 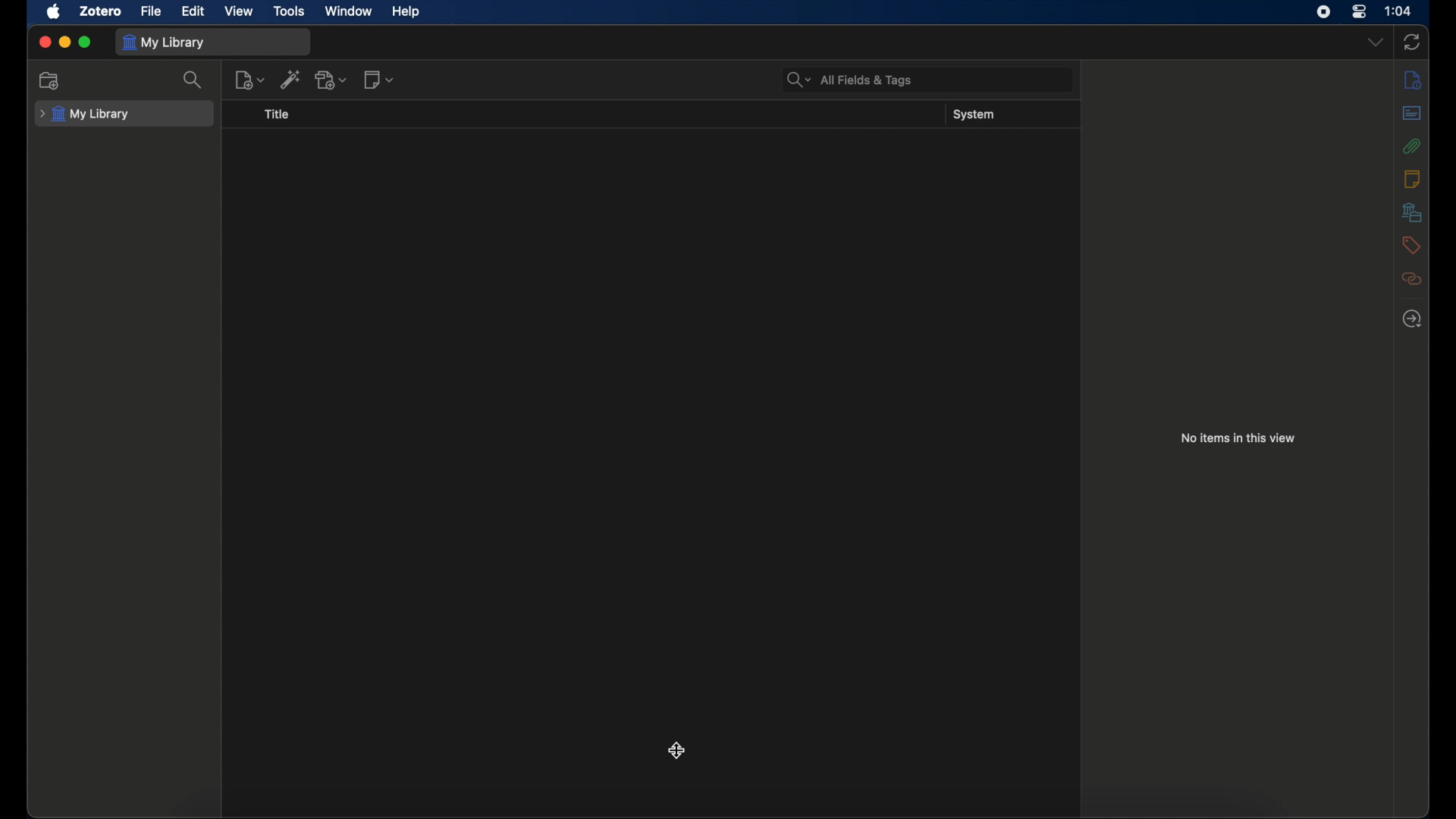 I want to click on related, so click(x=1411, y=278).